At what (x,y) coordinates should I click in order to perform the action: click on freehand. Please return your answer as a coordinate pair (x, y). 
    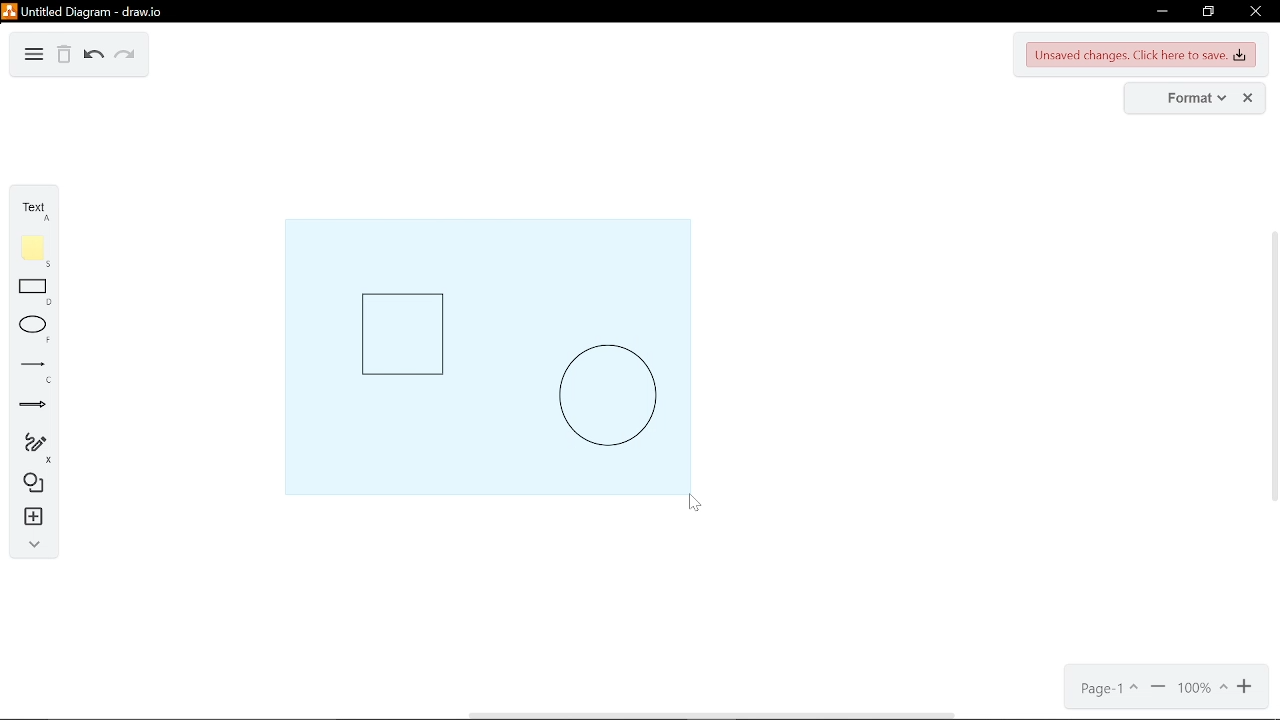
    Looking at the image, I should click on (29, 446).